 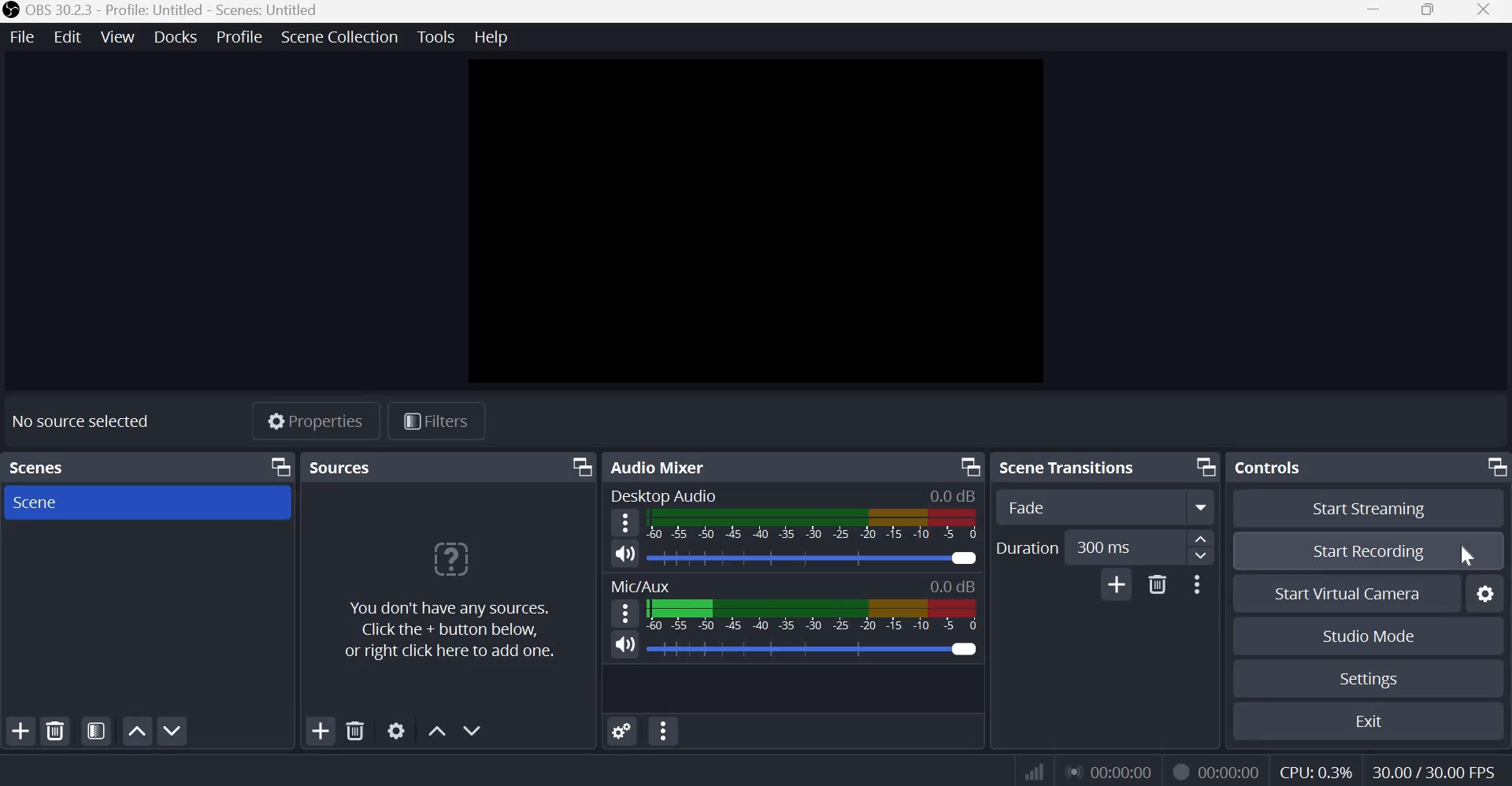 I want to click on Dock Options icon, so click(x=971, y=467).